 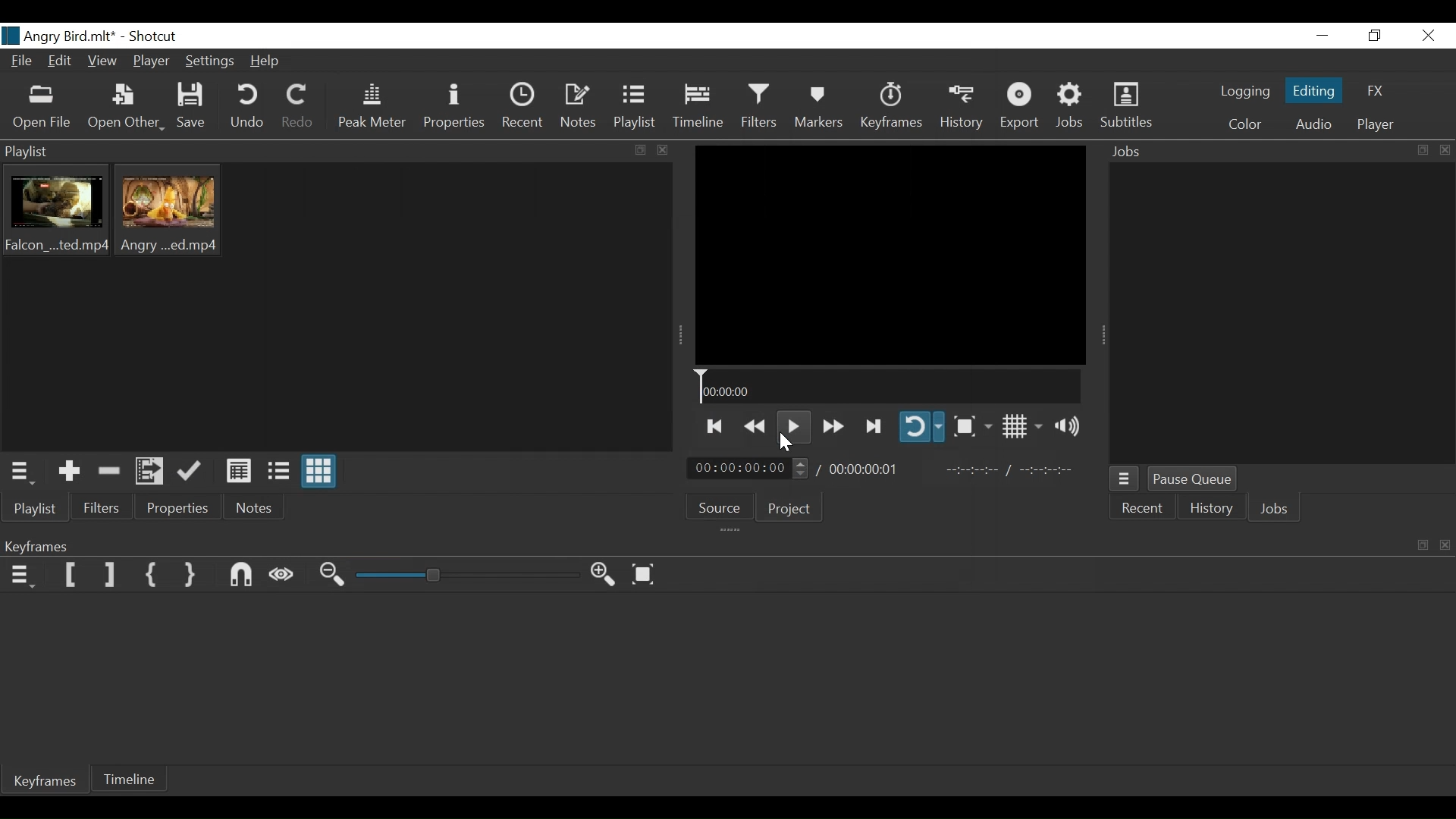 What do you see at coordinates (39, 508) in the screenshot?
I see `Playlist` at bounding box center [39, 508].